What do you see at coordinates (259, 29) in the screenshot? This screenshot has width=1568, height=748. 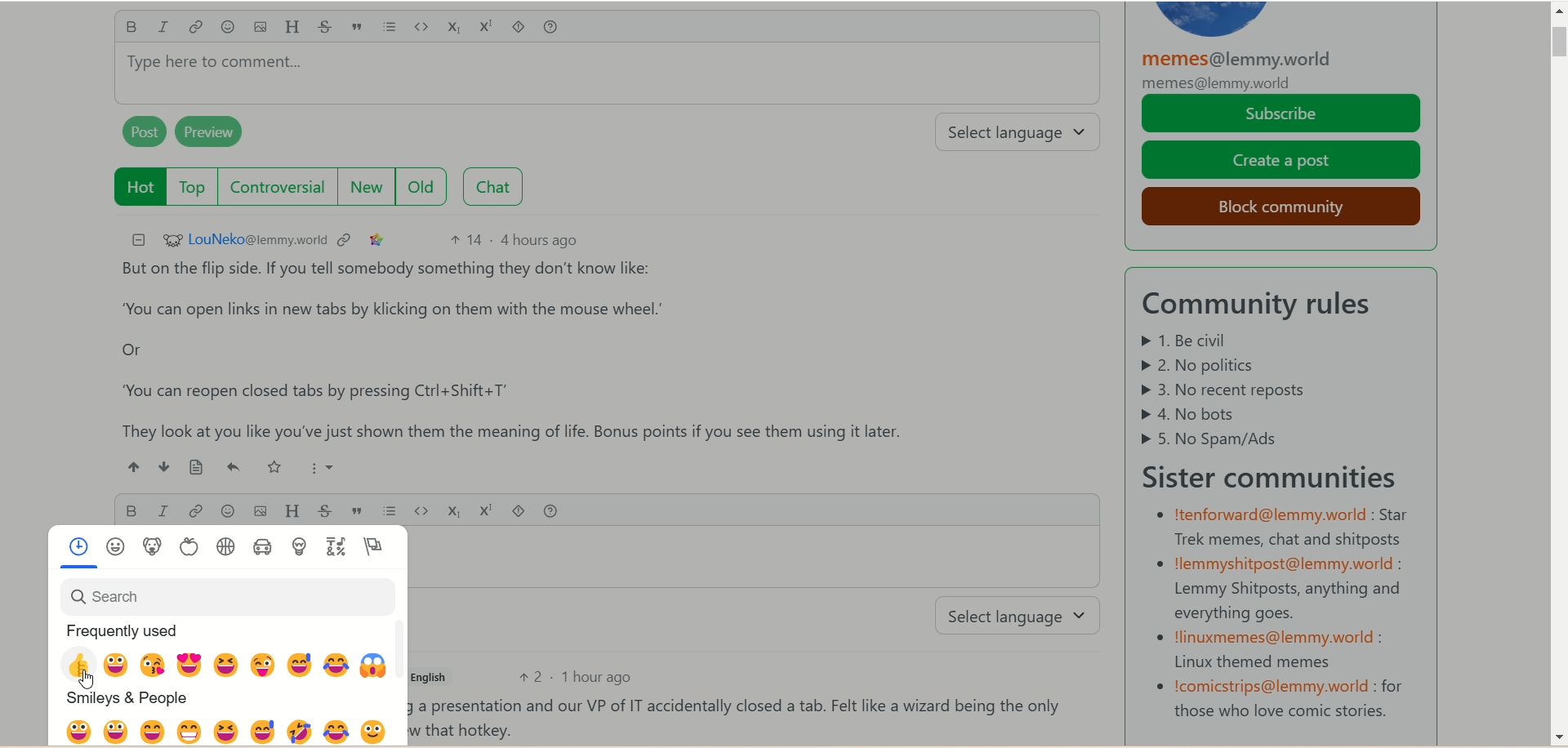 I see `image` at bounding box center [259, 29].